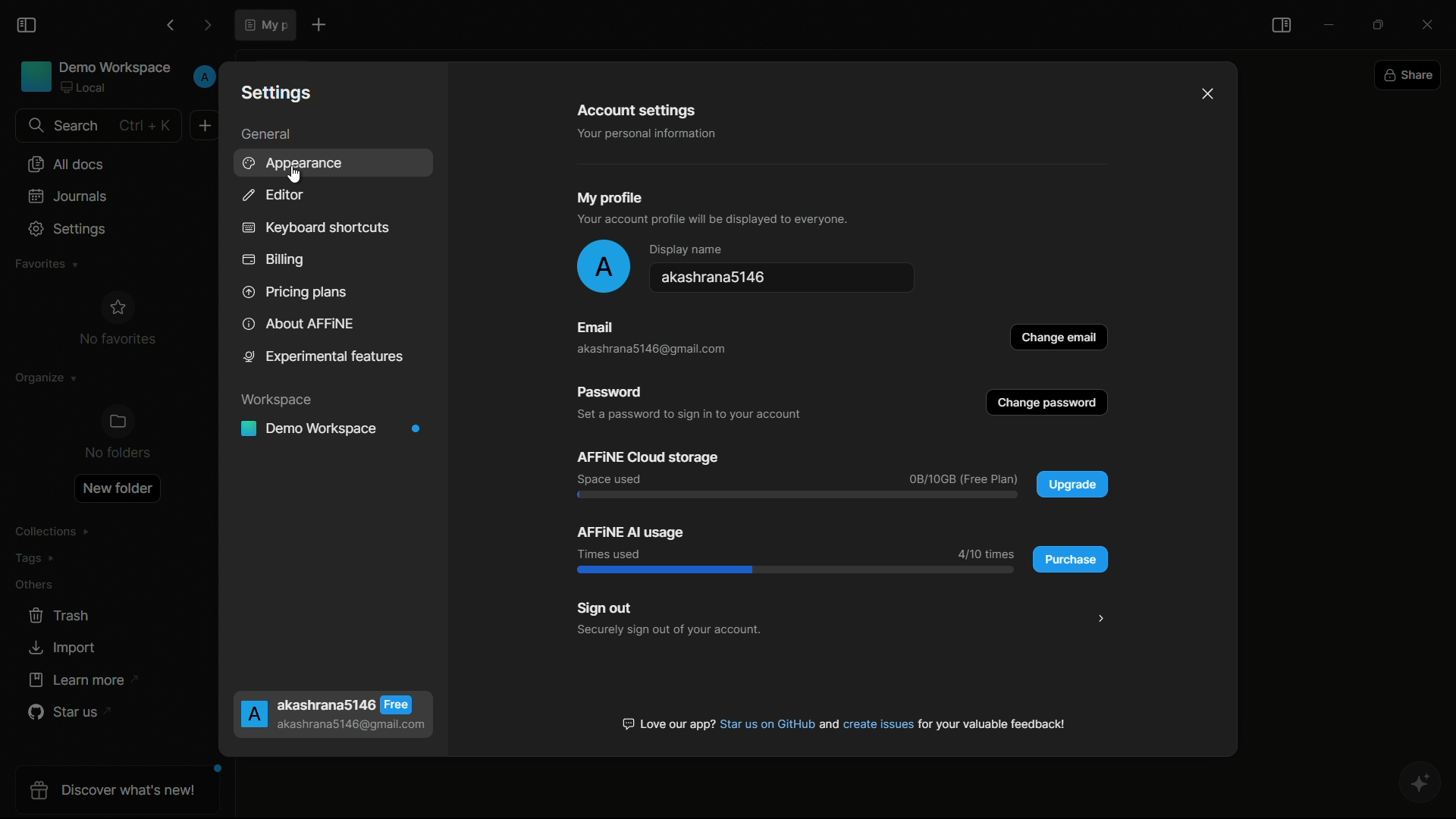 The height and width of the screenshot is (819, 1456). What do you see at coordinates (689, 416) in the screenshot?
I see `Set a password to sign in to your account` at bounding box center [689, 416].